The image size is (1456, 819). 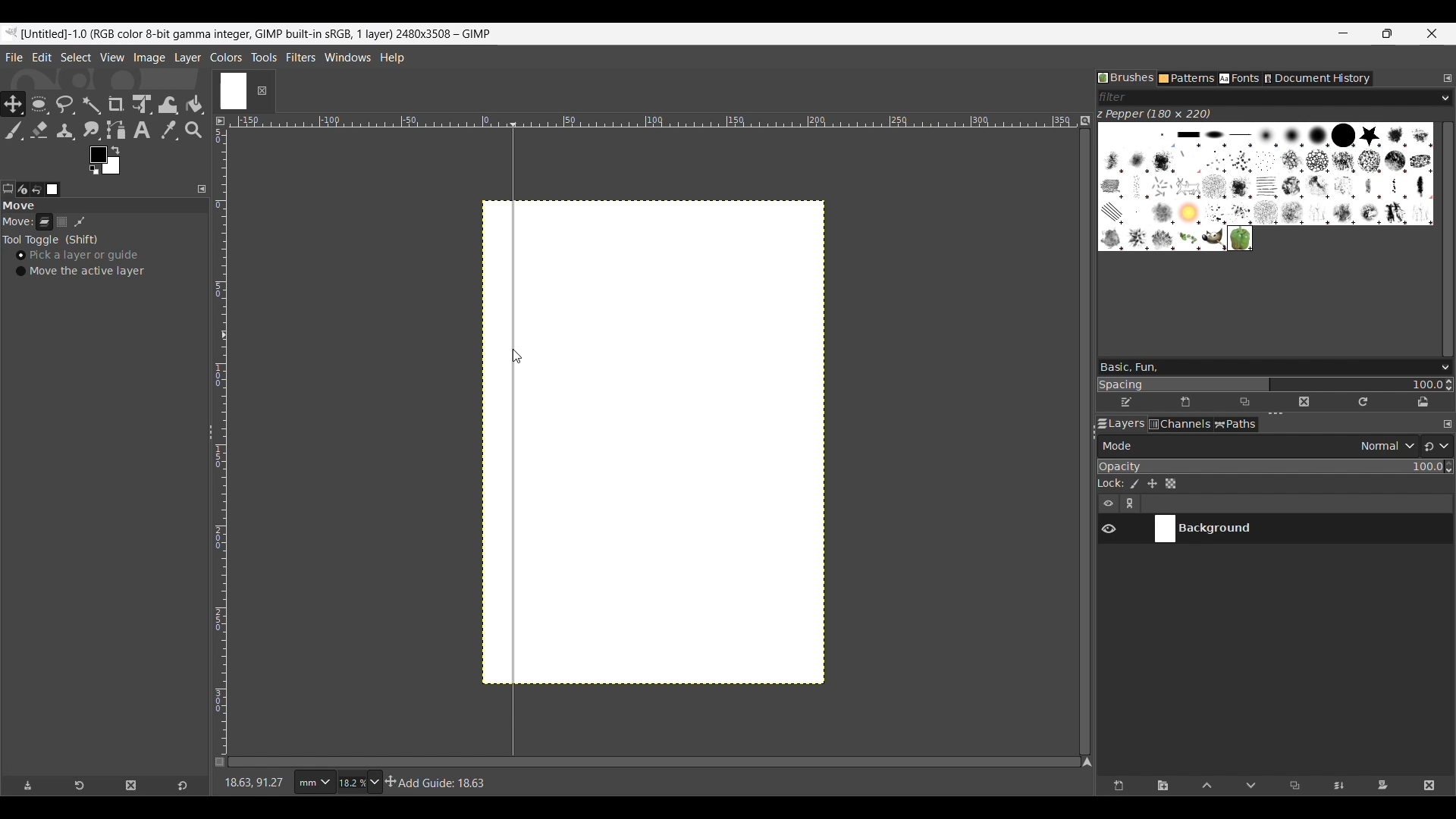 I want to click on Fuzzy select tool, so click(x=91, y=105).